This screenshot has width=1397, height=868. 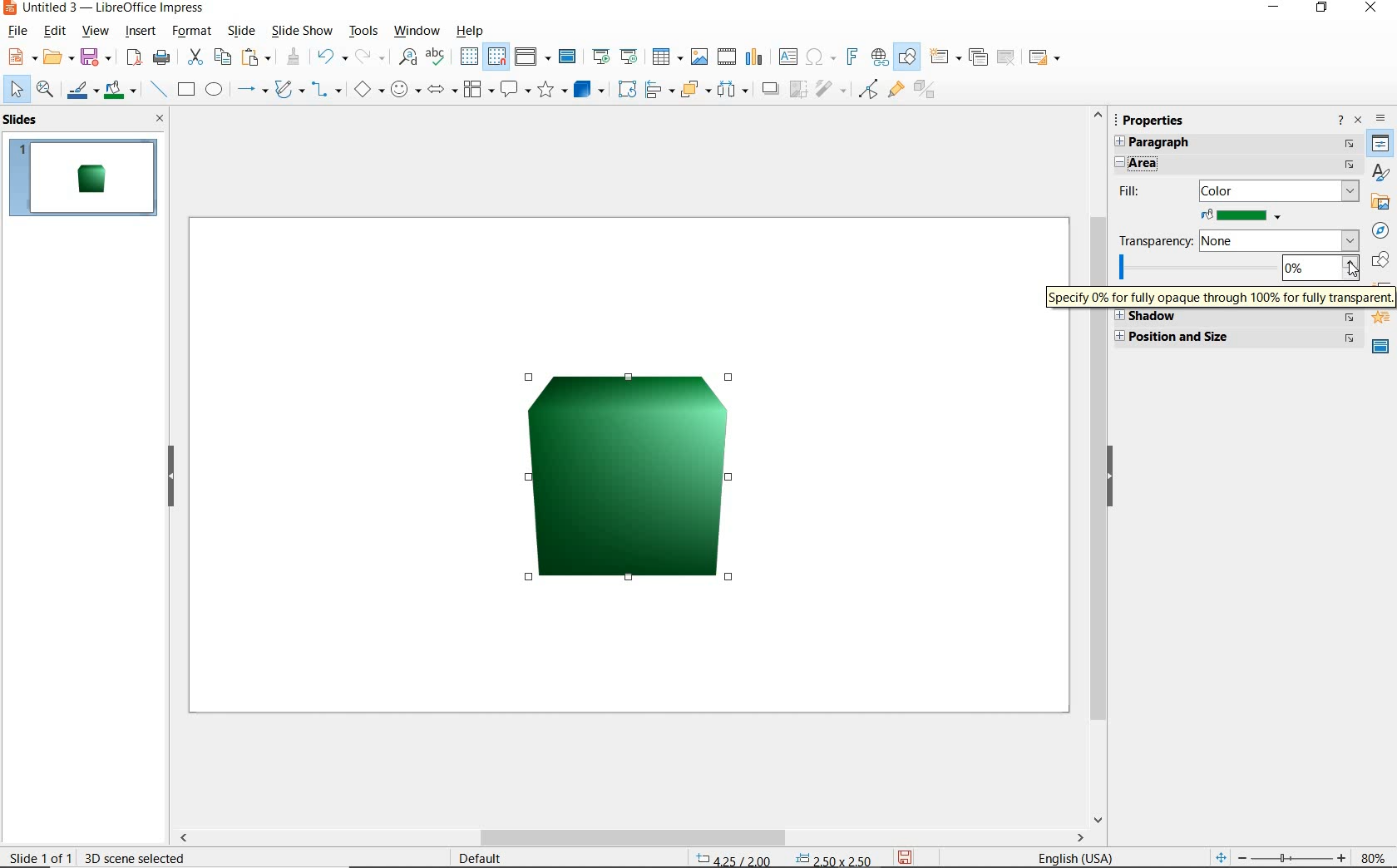 What do you see at coordinates (853, 59) in the screenshot?
I see `insert frontwork text` at bounding box center [853, 59].